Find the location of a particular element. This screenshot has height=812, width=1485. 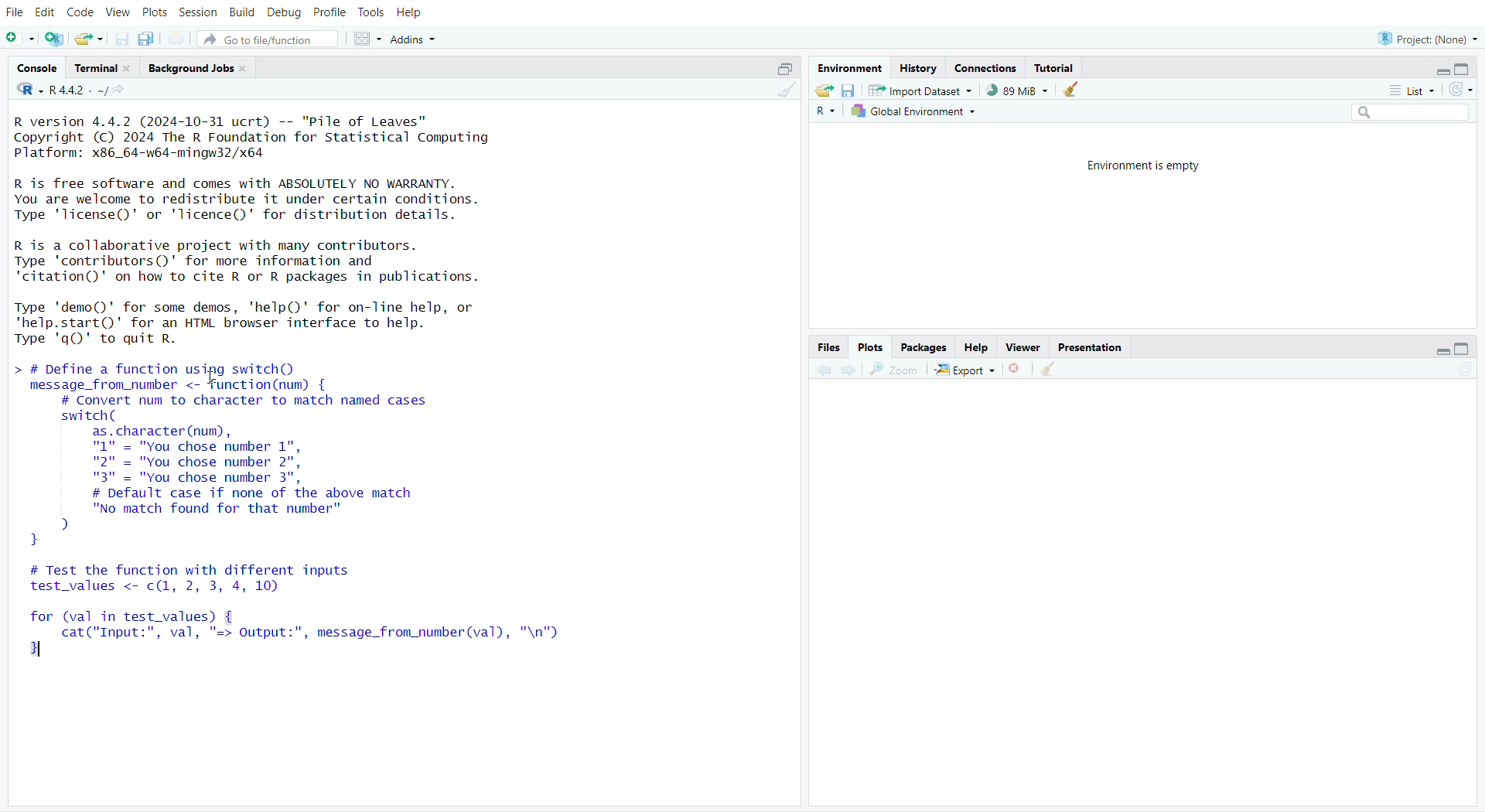

Tools is located at coordinates (375, 13).